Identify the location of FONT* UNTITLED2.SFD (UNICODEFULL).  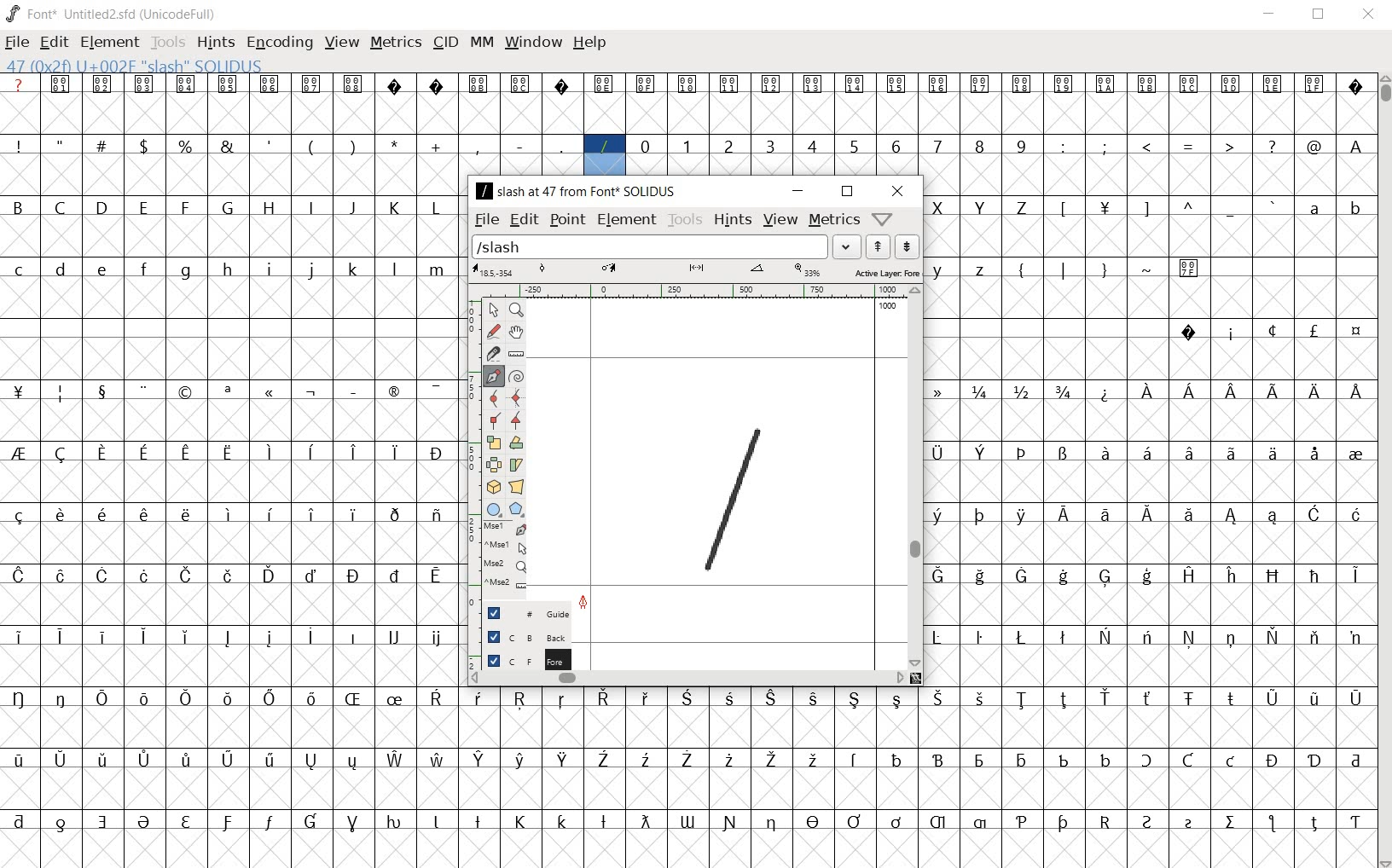
(111, 13).